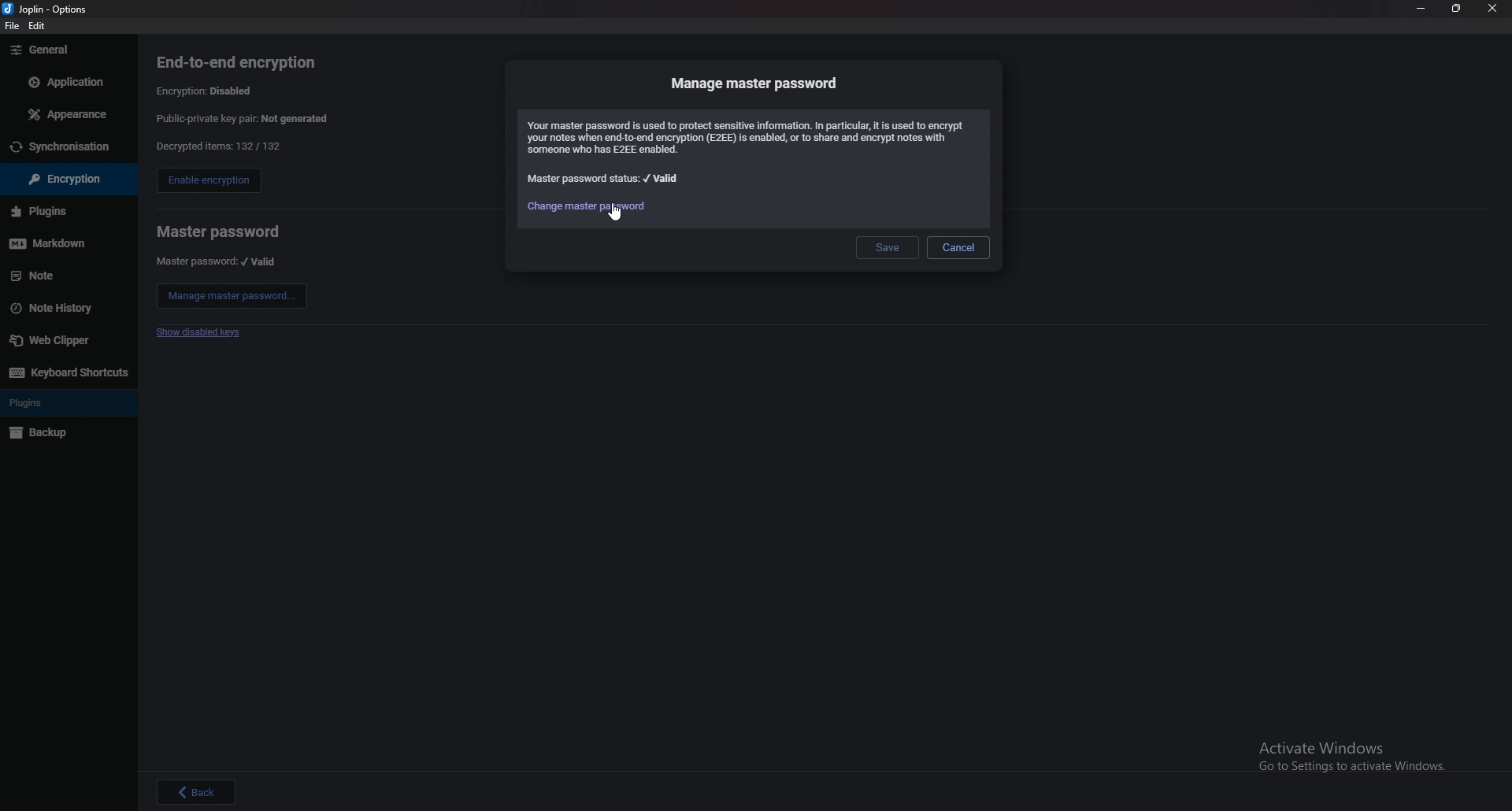 This screenshot has width=1512, height=811. I want to click on general, so click(66, 50).